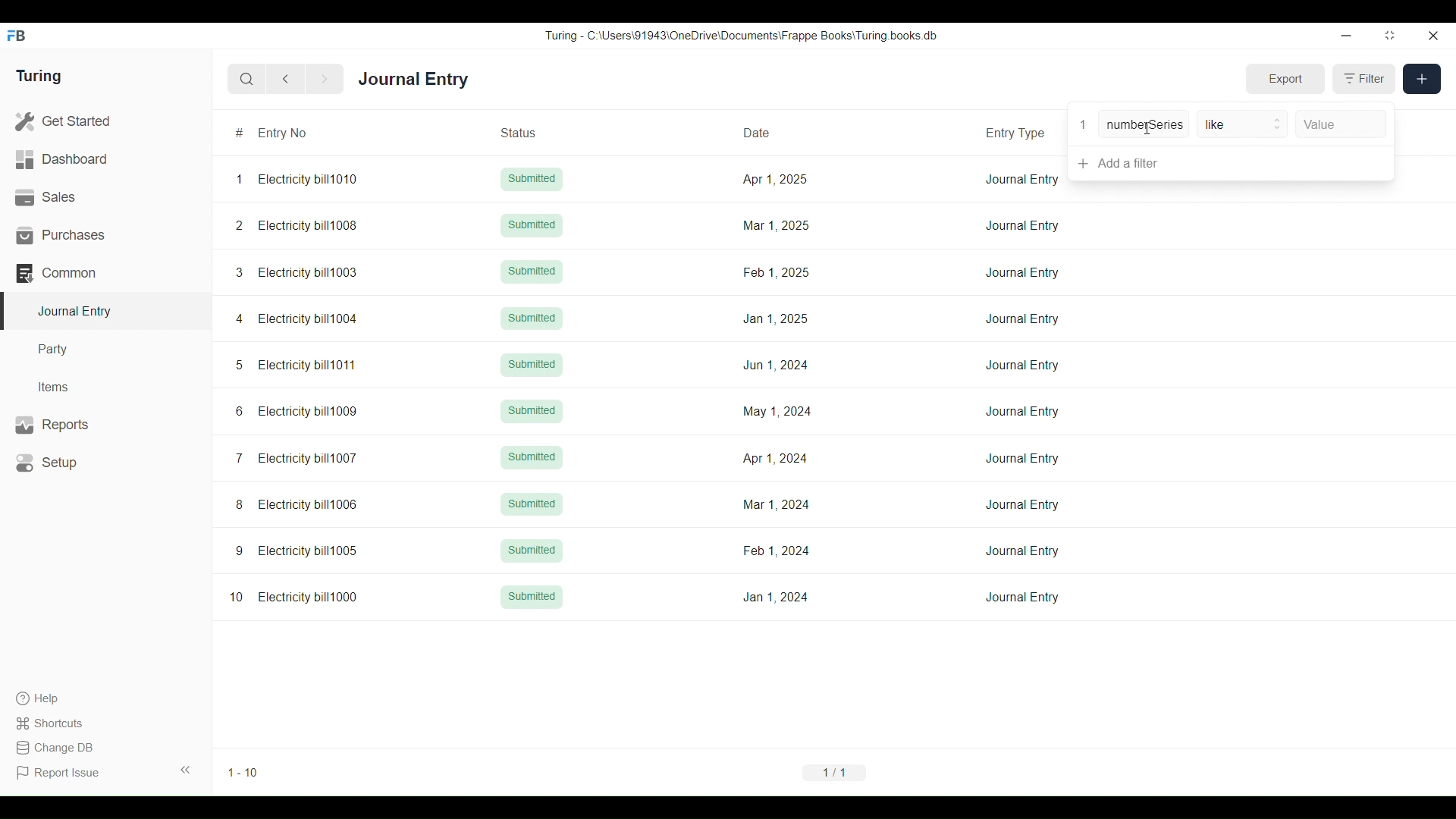 The image size is (1456, 819). What do you see at coordinates (1422, 79) in the screenshot?
I see `New entry` at bounding box center [1422, 79].